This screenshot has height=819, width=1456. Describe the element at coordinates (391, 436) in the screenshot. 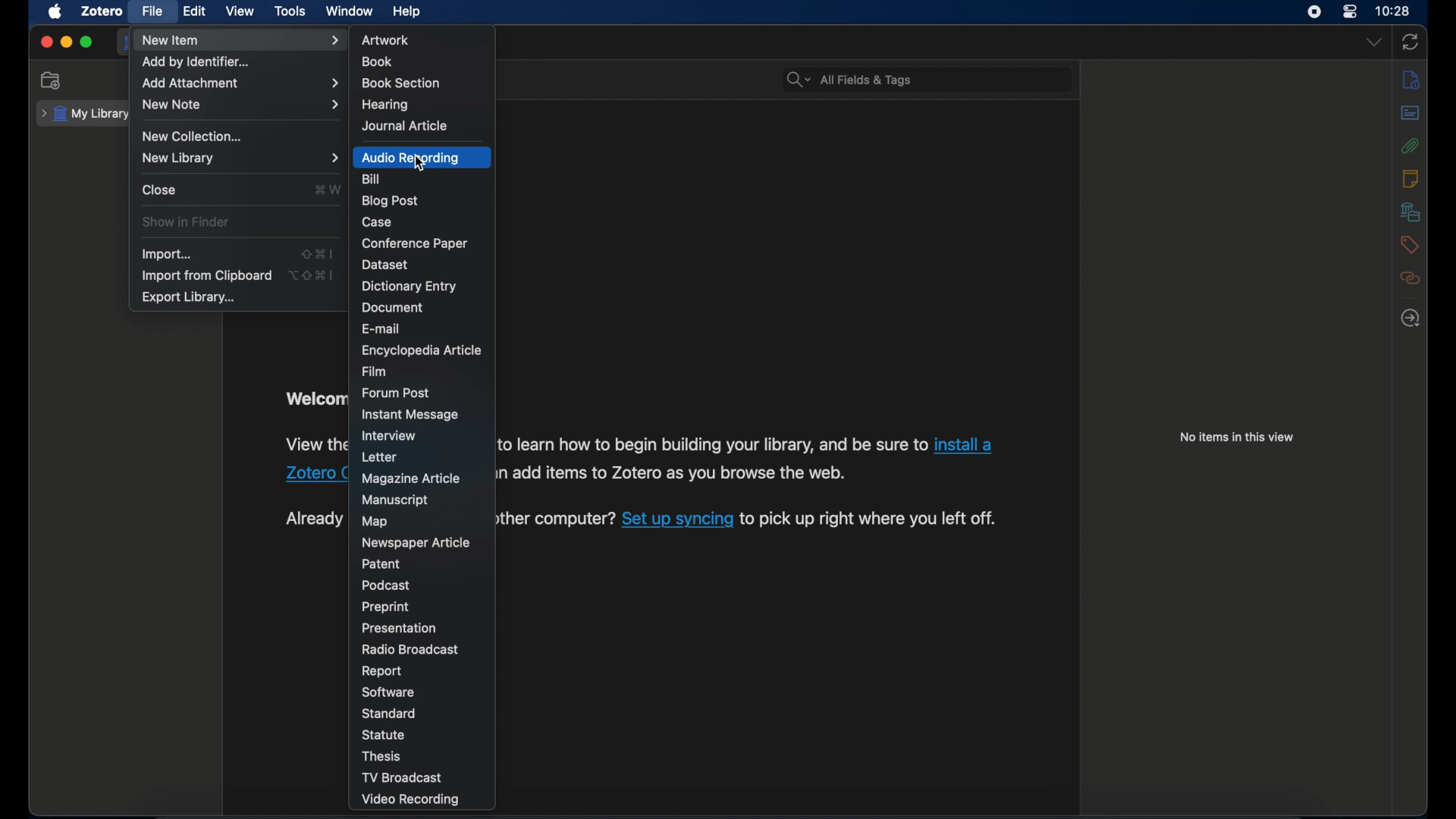

I see `interview` at that location.